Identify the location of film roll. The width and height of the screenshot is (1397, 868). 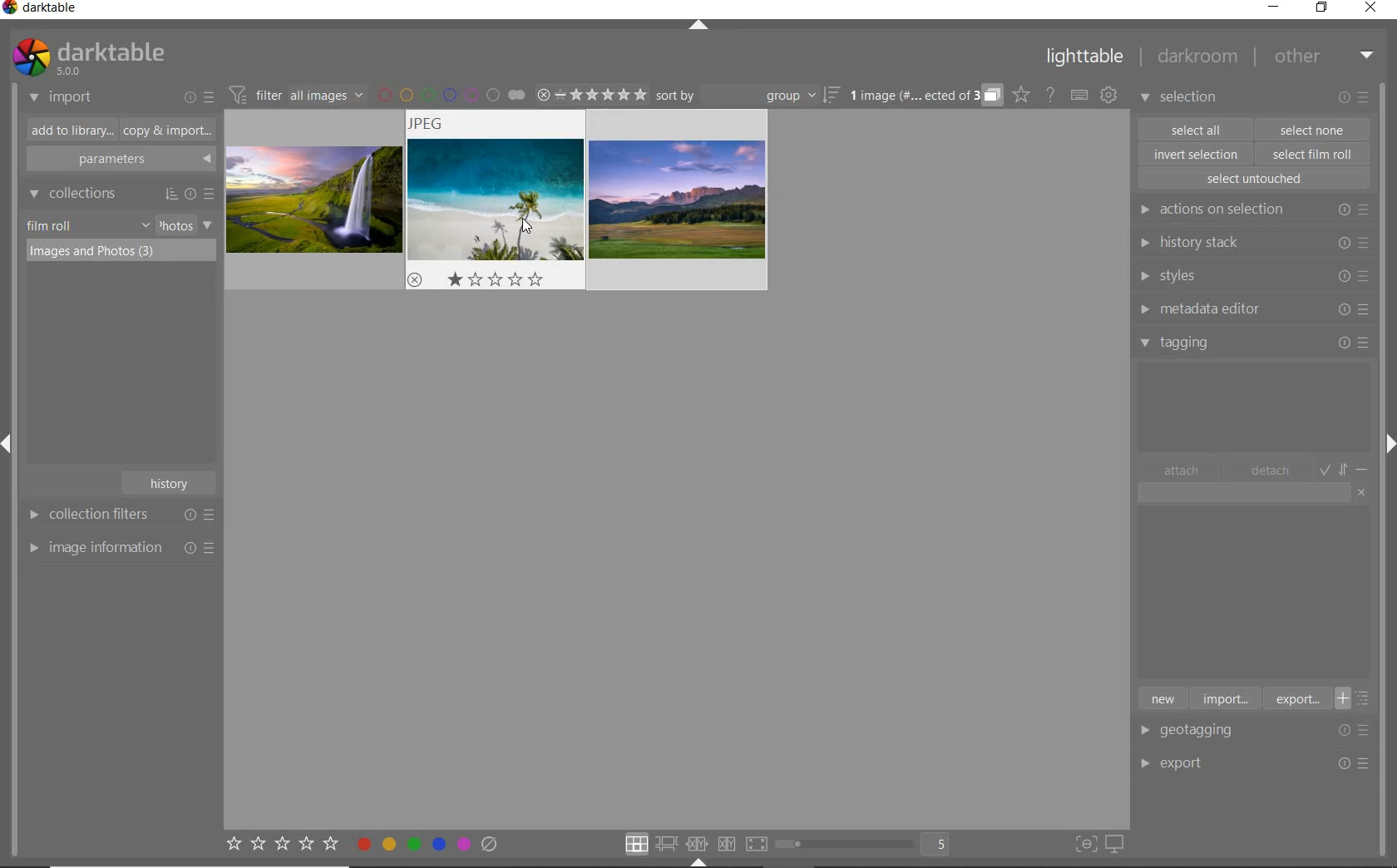
(51, 225).